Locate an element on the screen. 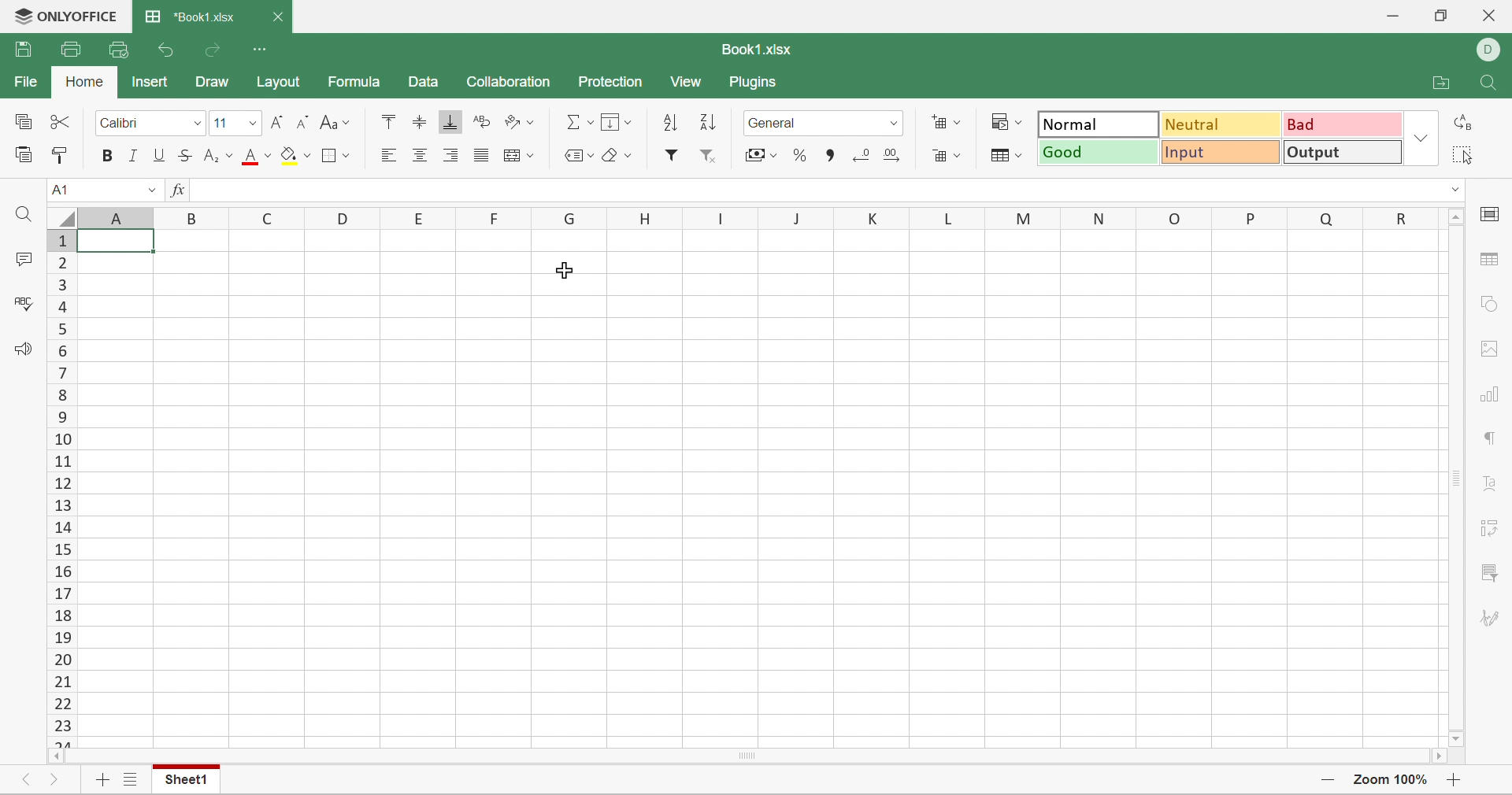  Add cell is located at coordinates (944, 122).